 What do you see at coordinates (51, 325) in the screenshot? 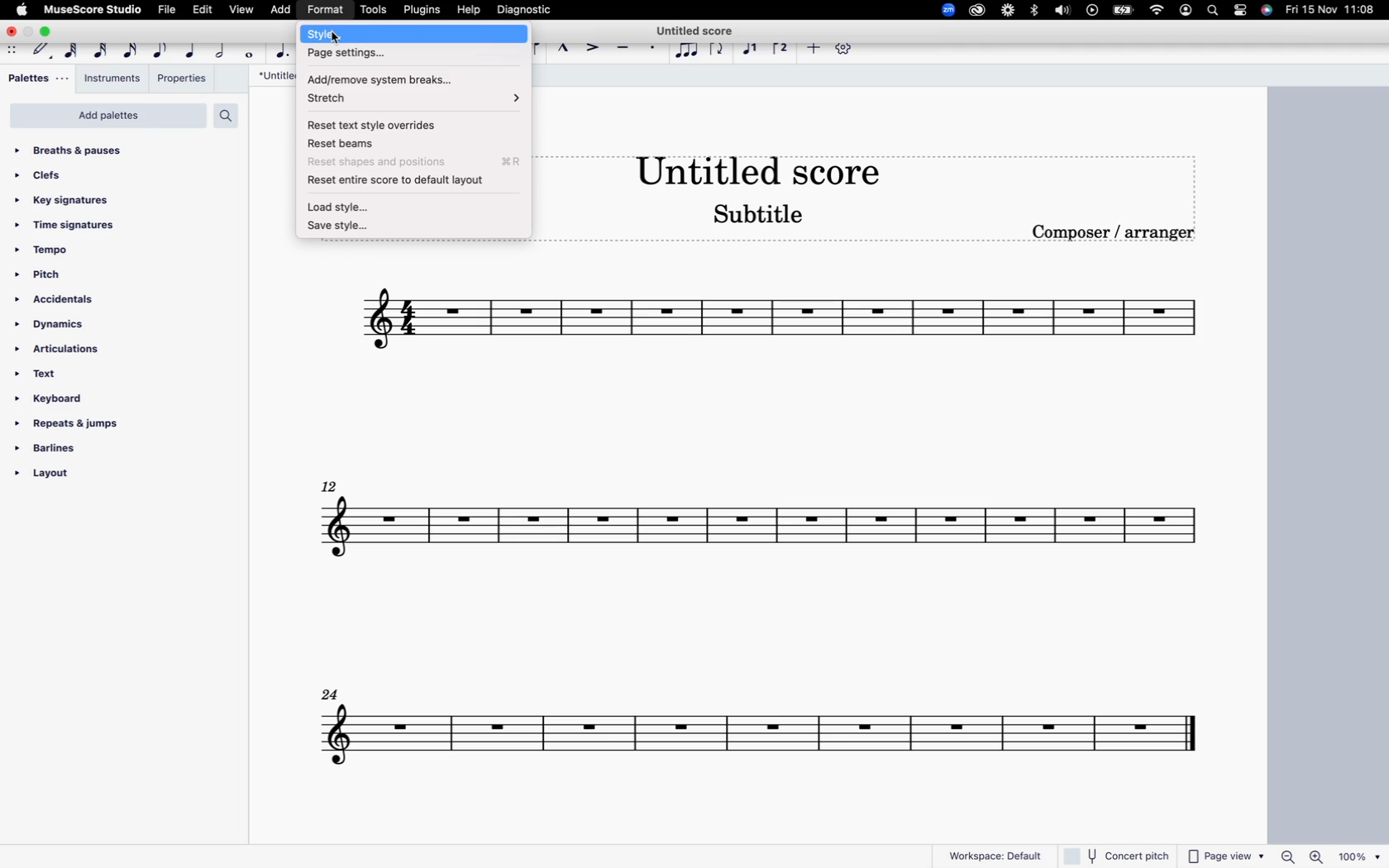
I see `dynamics` at bounding box center [51, 325].